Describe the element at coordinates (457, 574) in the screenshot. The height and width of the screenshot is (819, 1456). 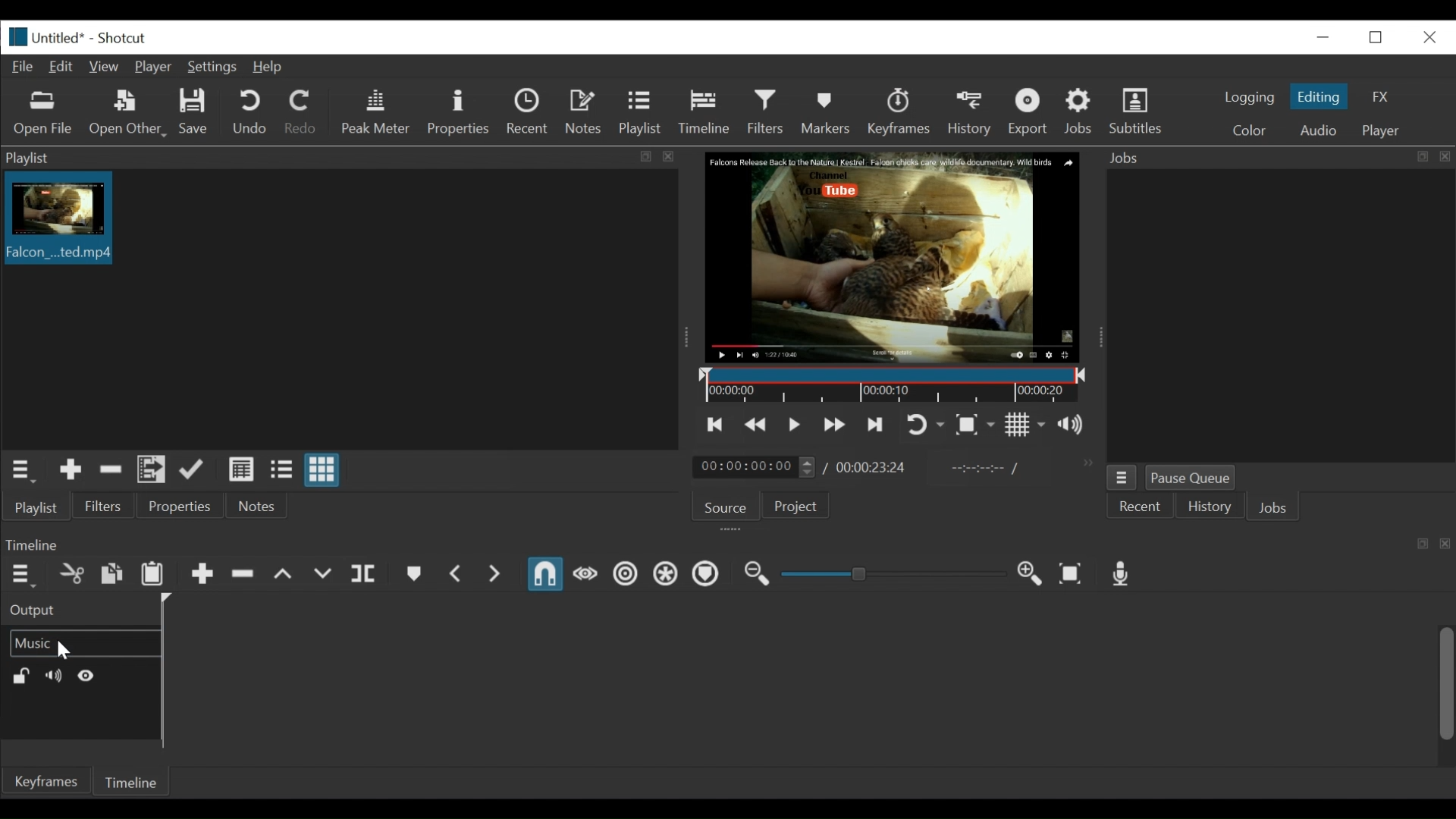
I see `Previous Marker` at that location.